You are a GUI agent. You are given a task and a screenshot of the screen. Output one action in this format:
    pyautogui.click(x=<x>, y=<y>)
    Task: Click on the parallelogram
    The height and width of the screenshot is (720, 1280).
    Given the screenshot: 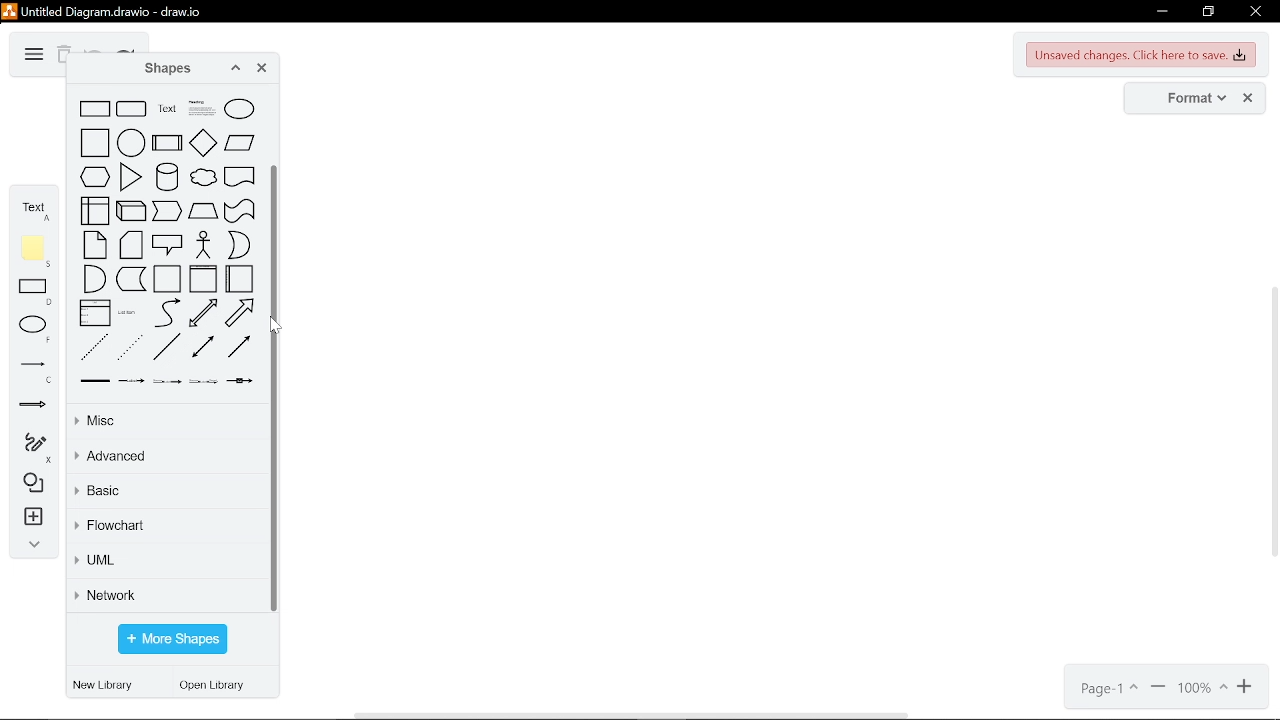 What is the action you would take?
    pyautogui.click(x=240, y=142)
    